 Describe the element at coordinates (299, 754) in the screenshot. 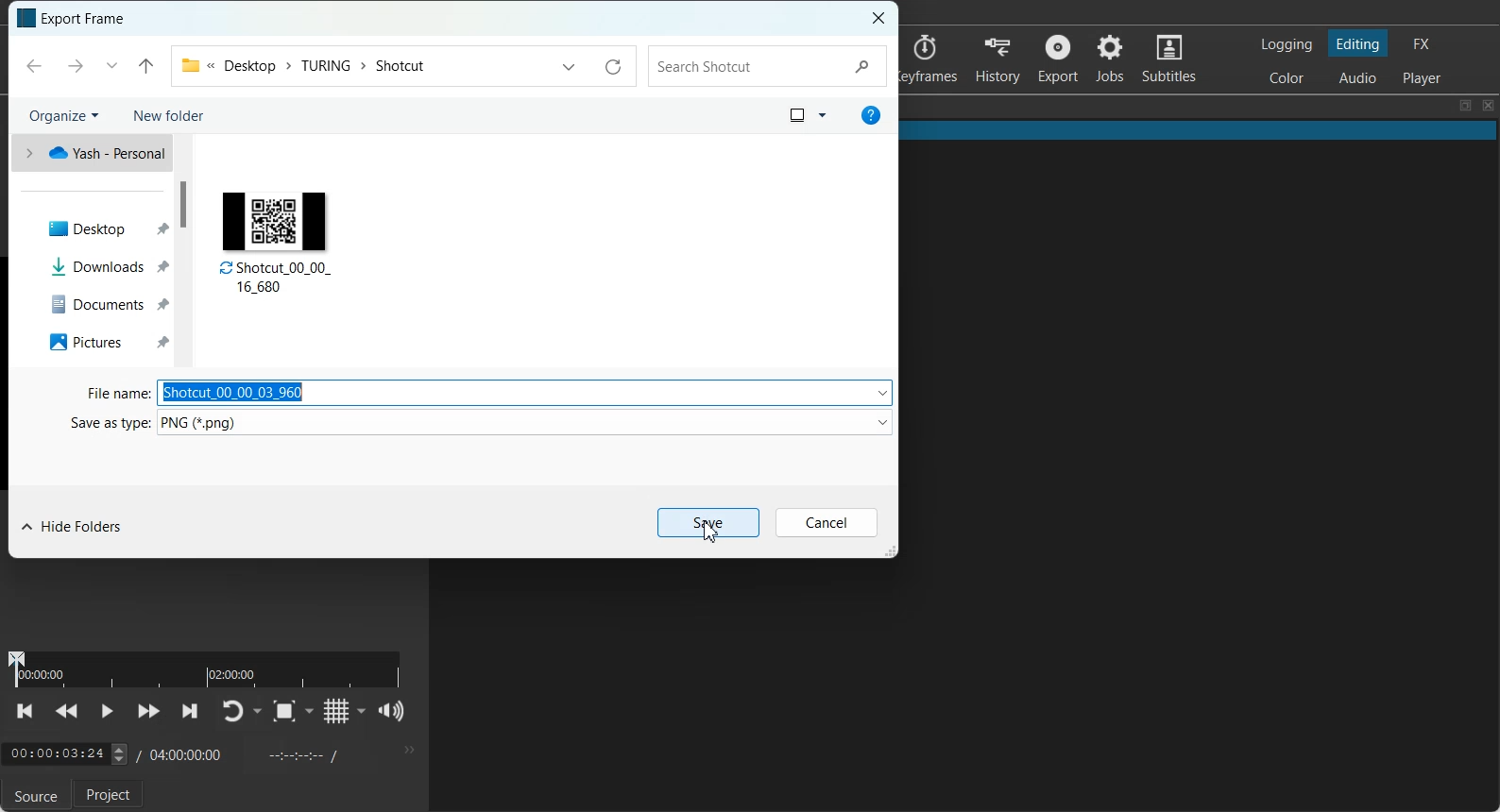

I see `In point` at that location.